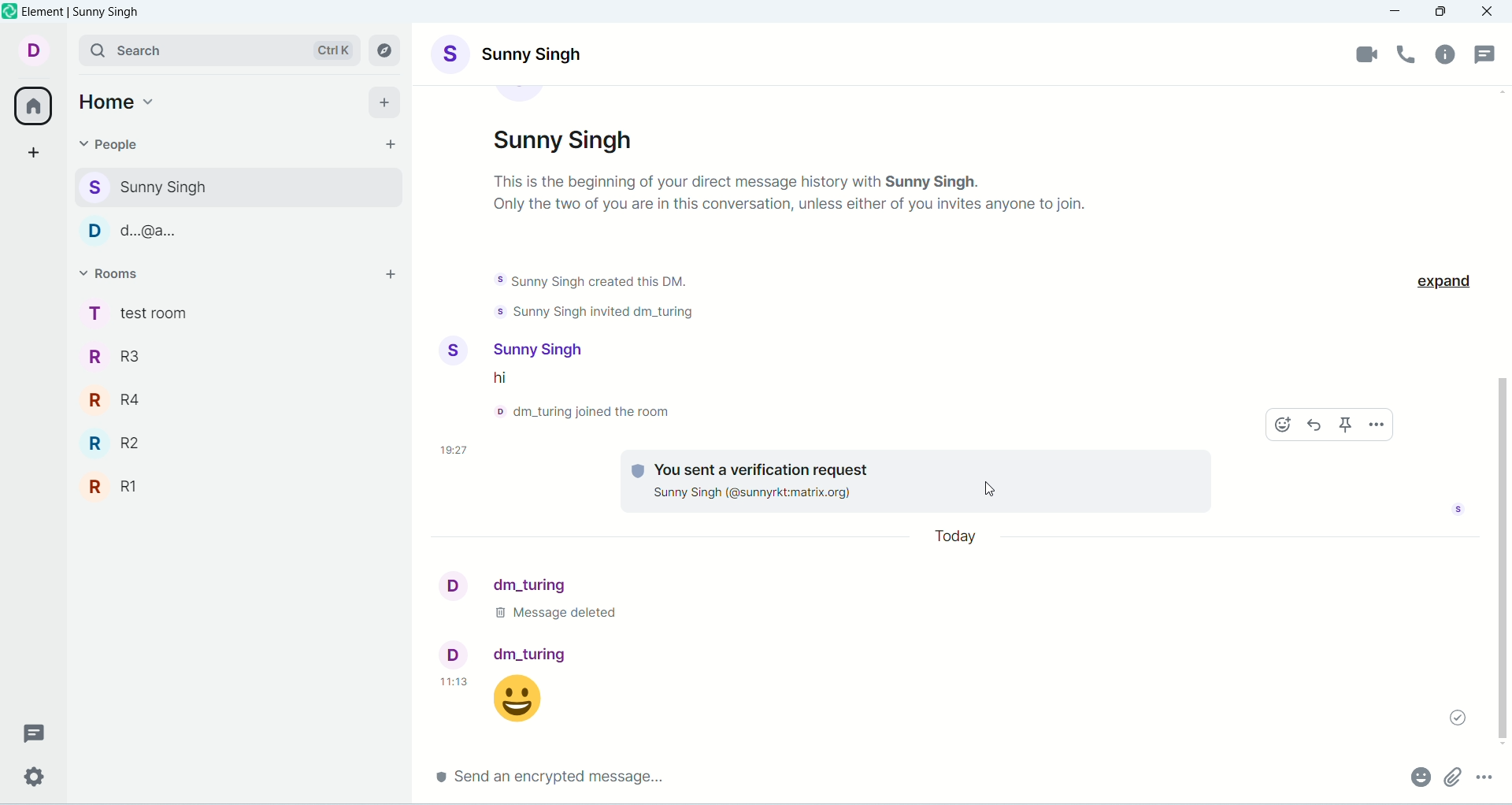 The width and height of the screenshot is (1512, 805). Describe the element at coordinates (1445, 58) in the screenshot. I see `room info` at that location.